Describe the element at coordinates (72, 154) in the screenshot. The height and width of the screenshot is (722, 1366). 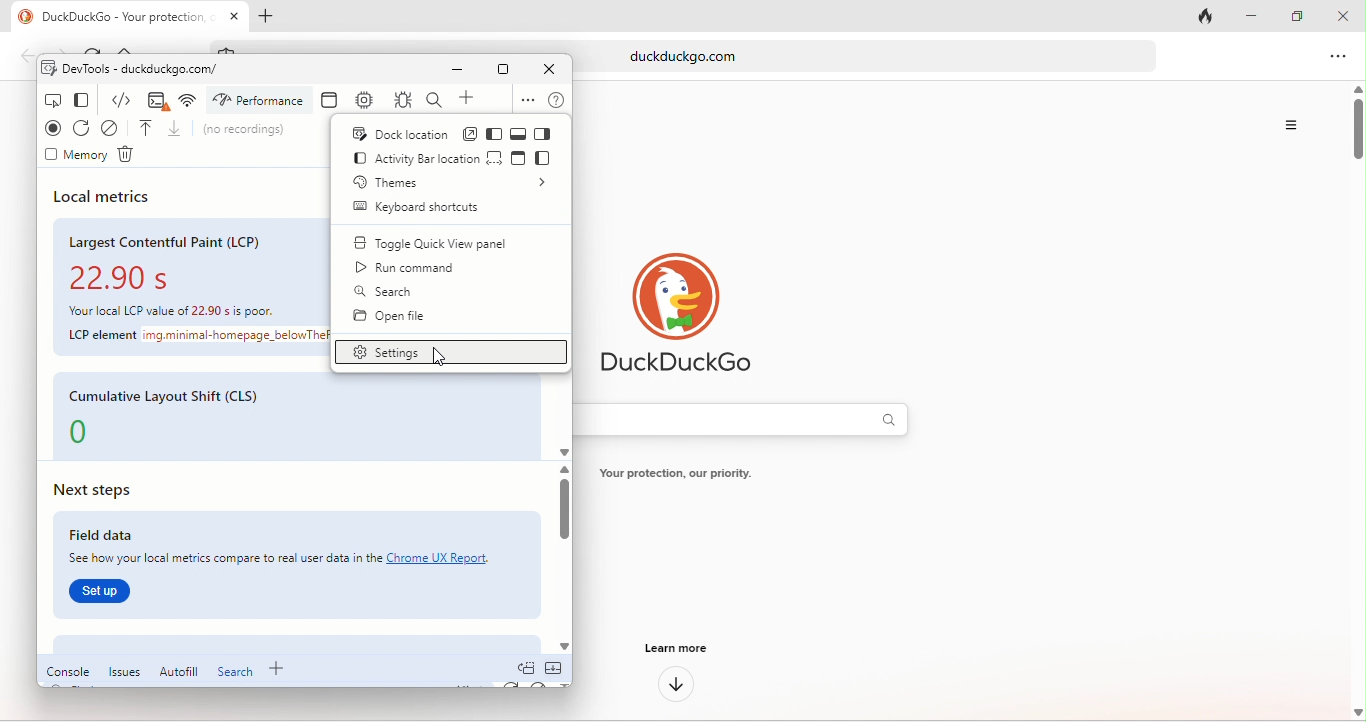
I see `memory` at that location.